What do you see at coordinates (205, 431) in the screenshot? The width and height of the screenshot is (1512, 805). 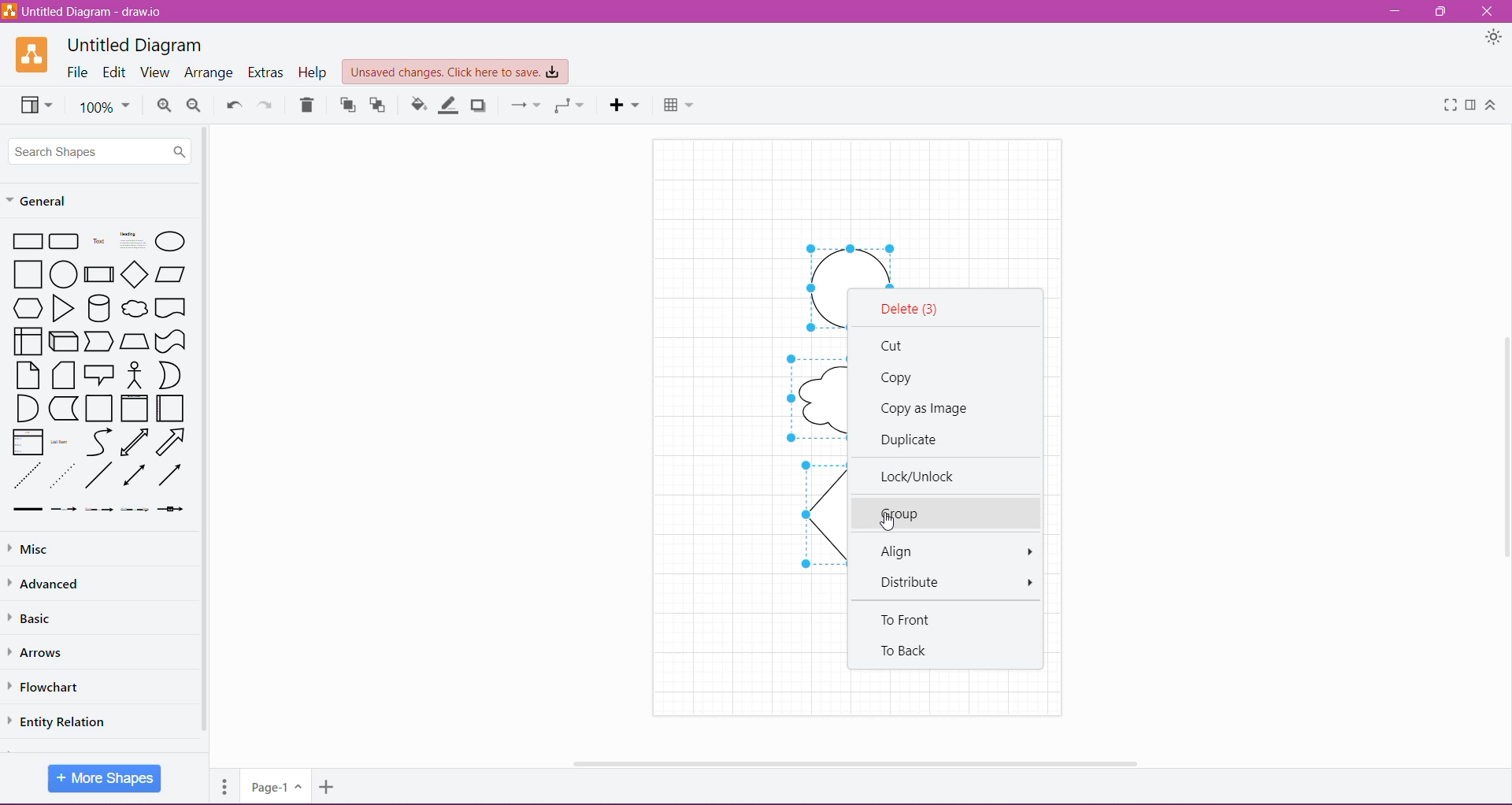 I see `Vertical Scroll Bar` at bounding box center [205, 431].